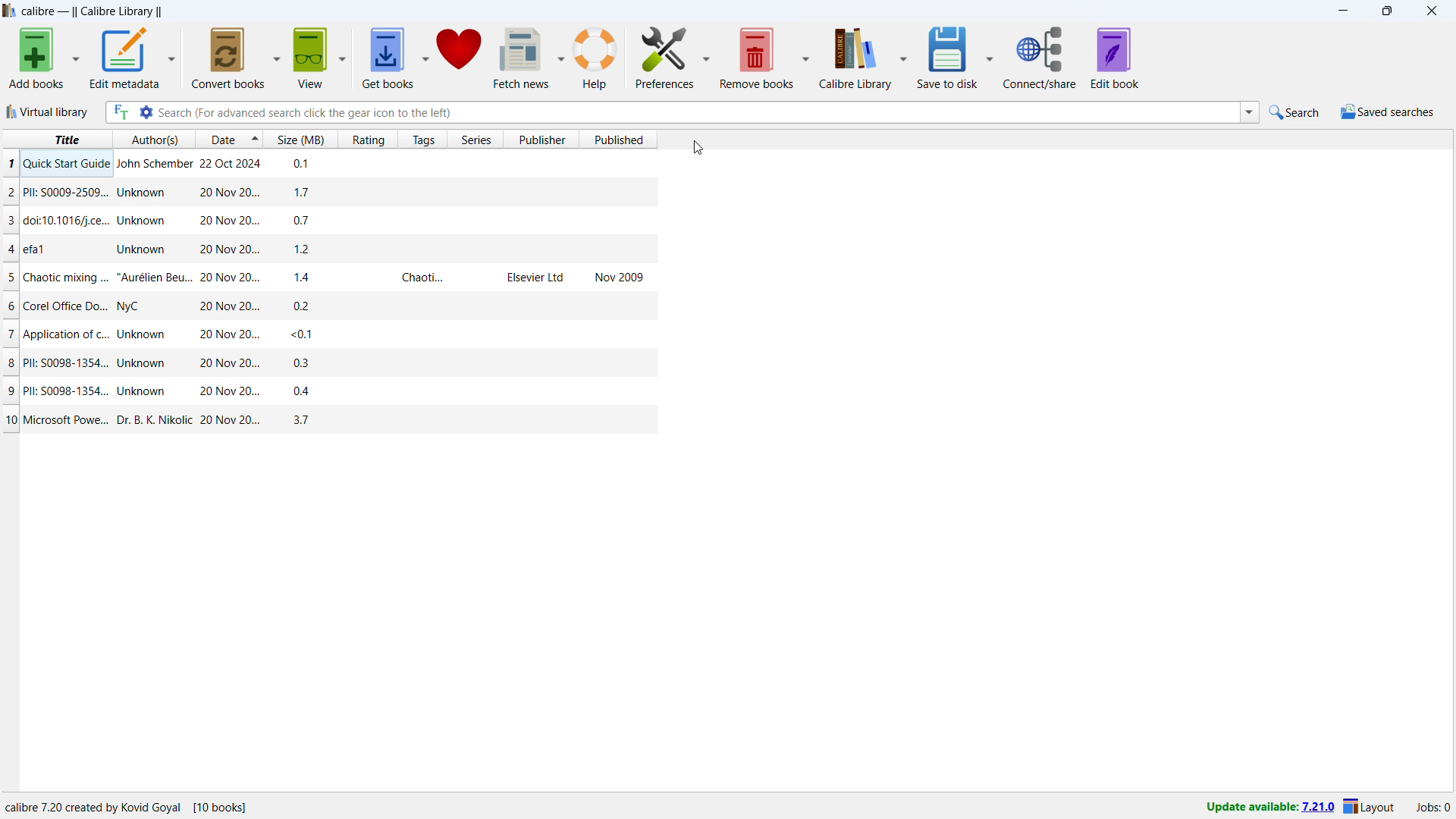 The image size is (1456, 819). Describe the element at coordinates (76, 57) in the screenshot. I see `add books options` at that location.